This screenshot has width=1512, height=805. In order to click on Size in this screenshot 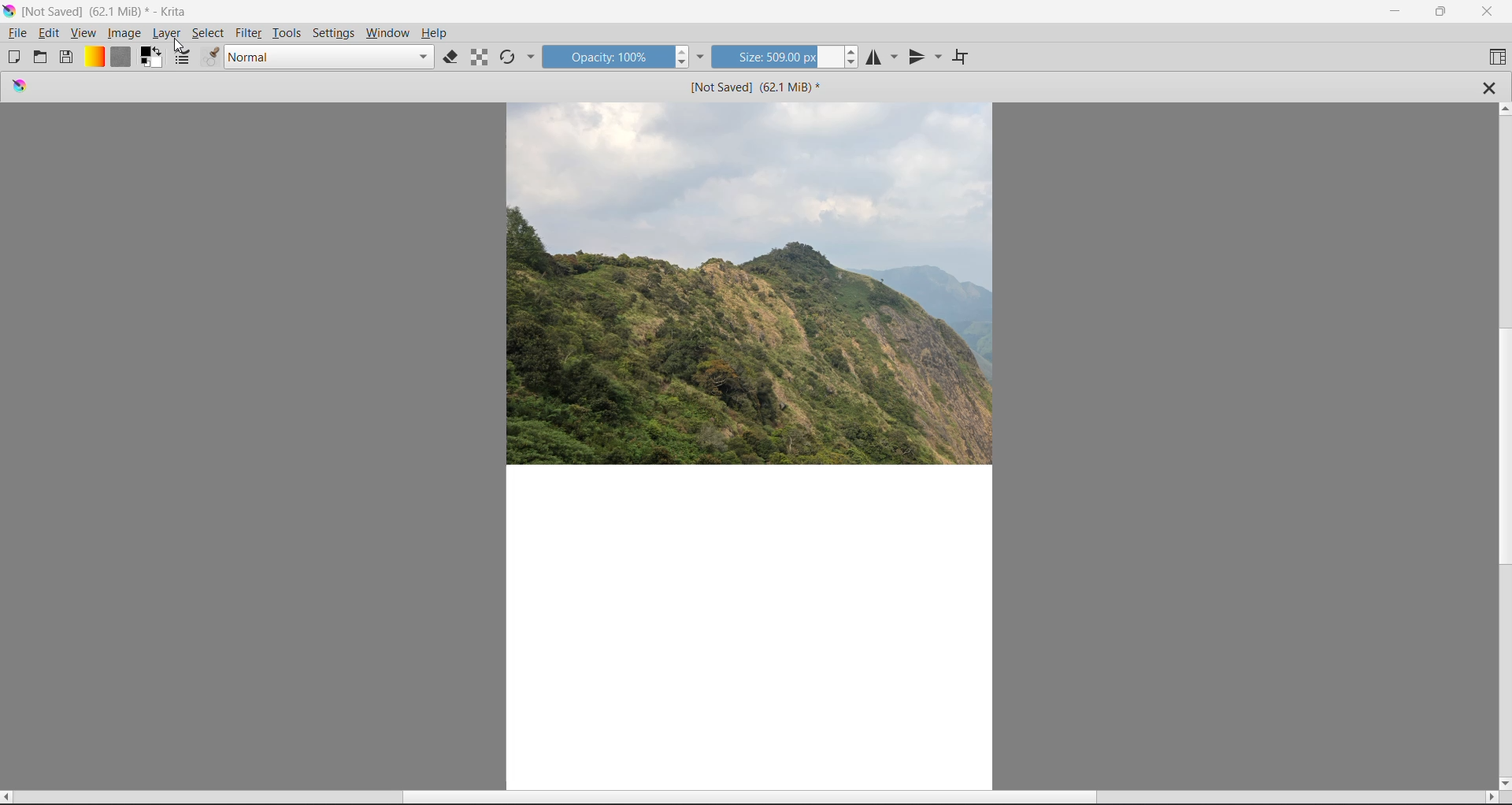, I will do `click(776, 57)`.